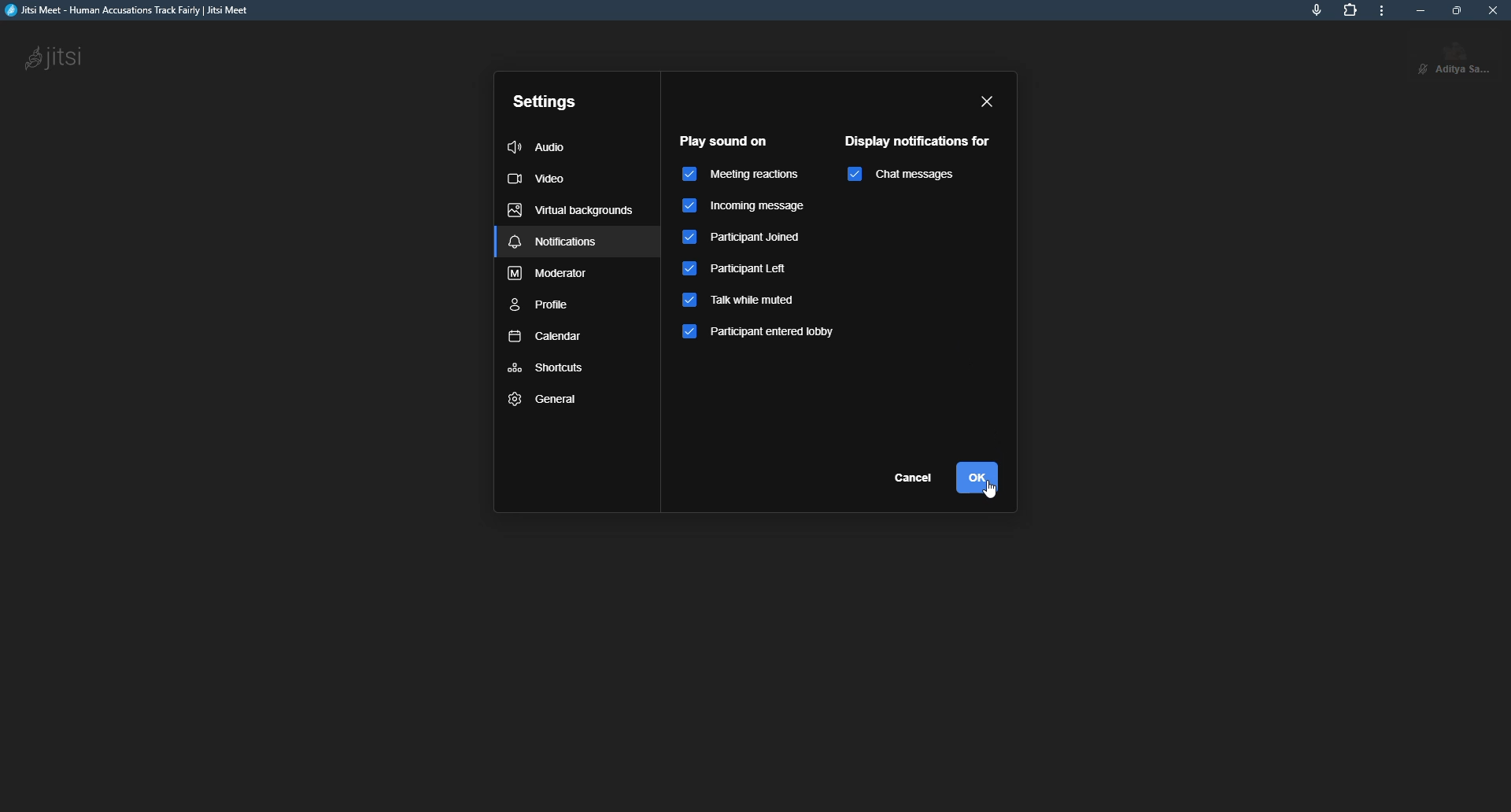  Describe the element at coordinates (1418, 68) in the screenshot. I see `unmute` at that location.